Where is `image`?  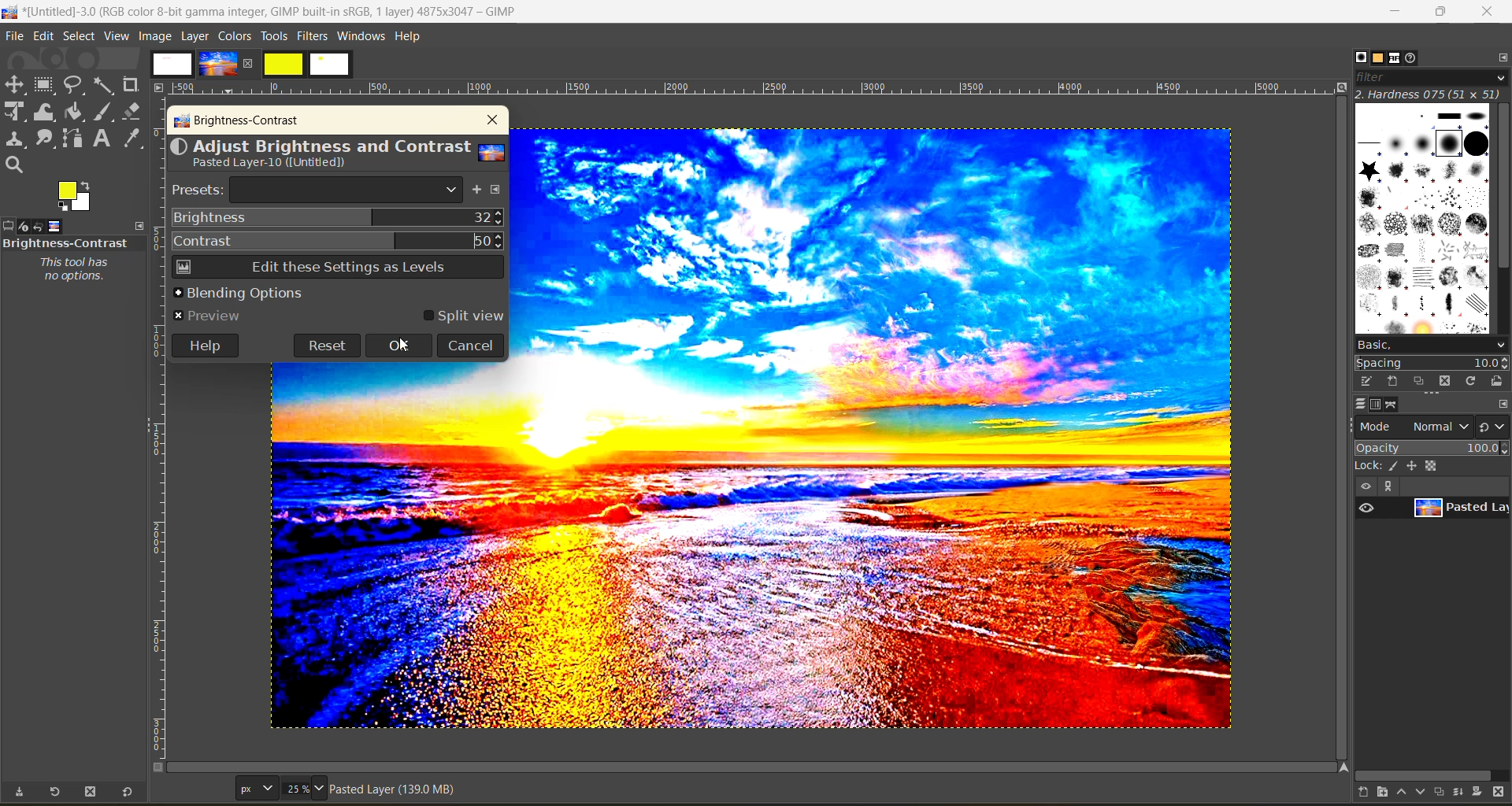
image is located at coordinates (155, 36).